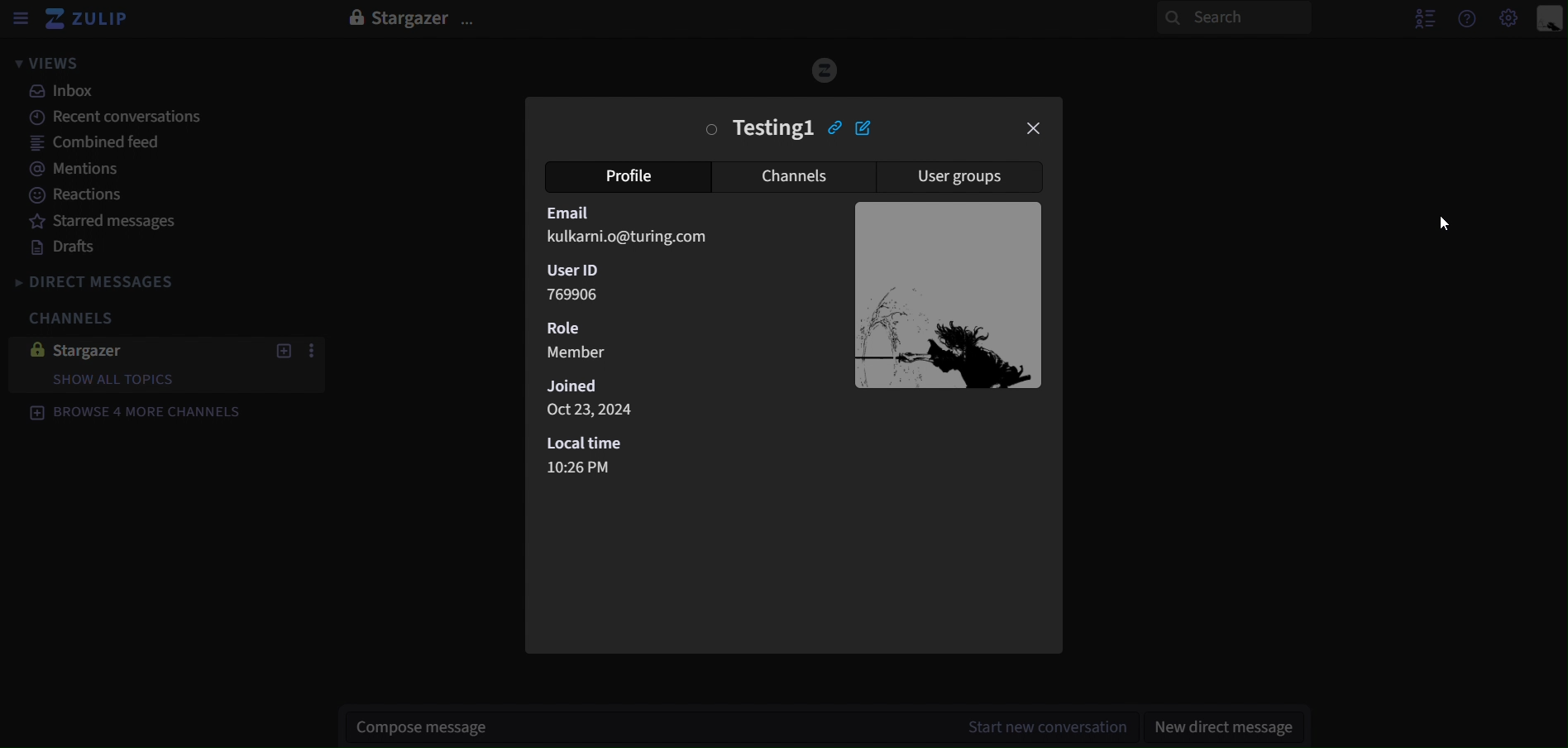  I want to click on drafts, so click(65, 248).